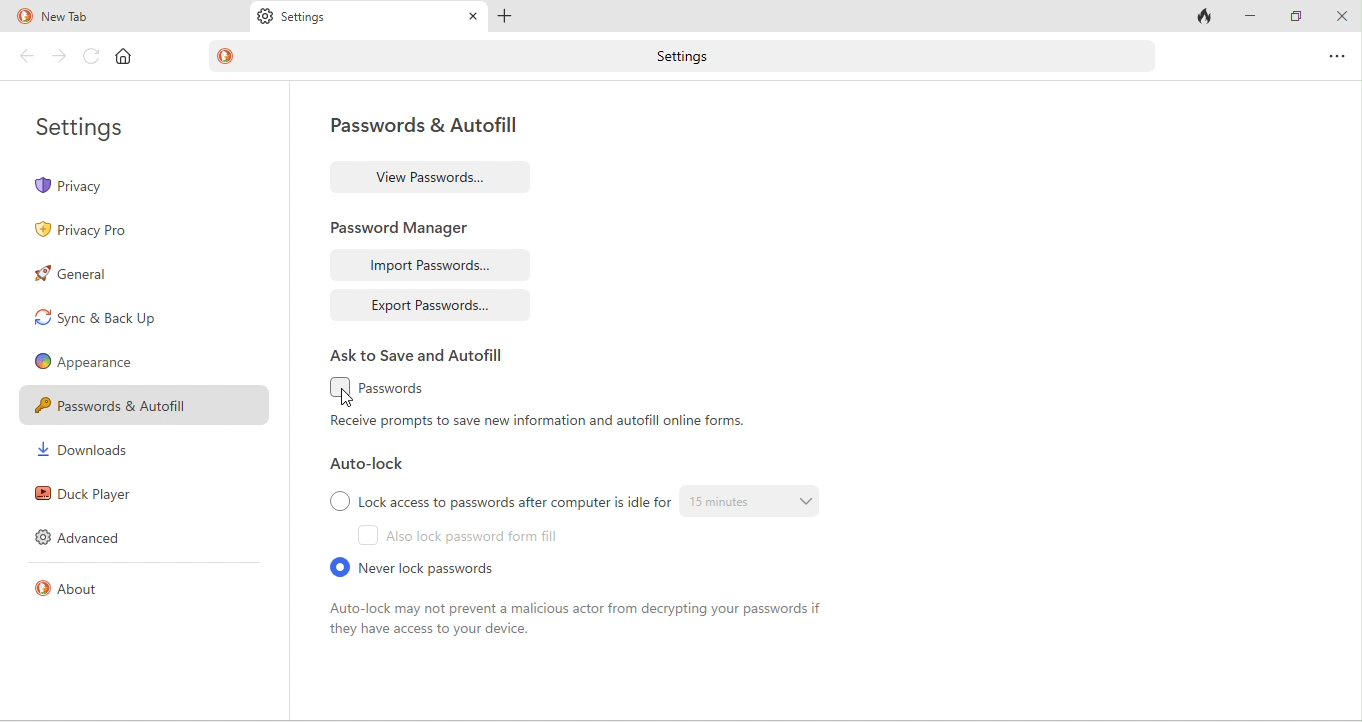 The height and width of the screenshot is (722, 1362). Describe the element at coordinates (139, 403) in the screenshot. I see `passwords and autofill` at that location.